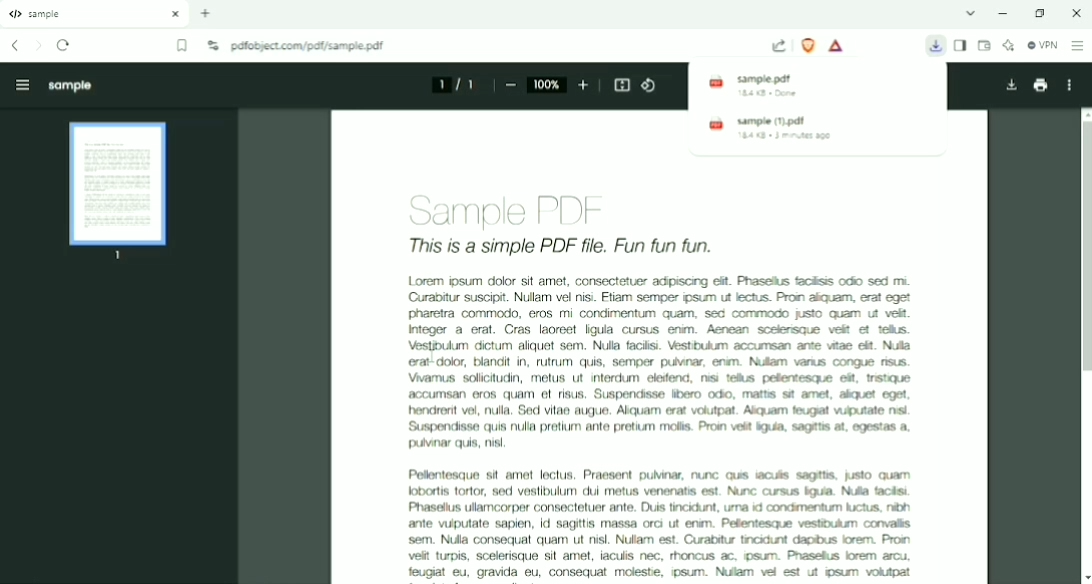 The width and height of the screenshot is (1092, 584). What do you see at coordinates (14, 46) in the screenshot?
I see `Click to go back, hold to see history` at bounding box center [14, 46].